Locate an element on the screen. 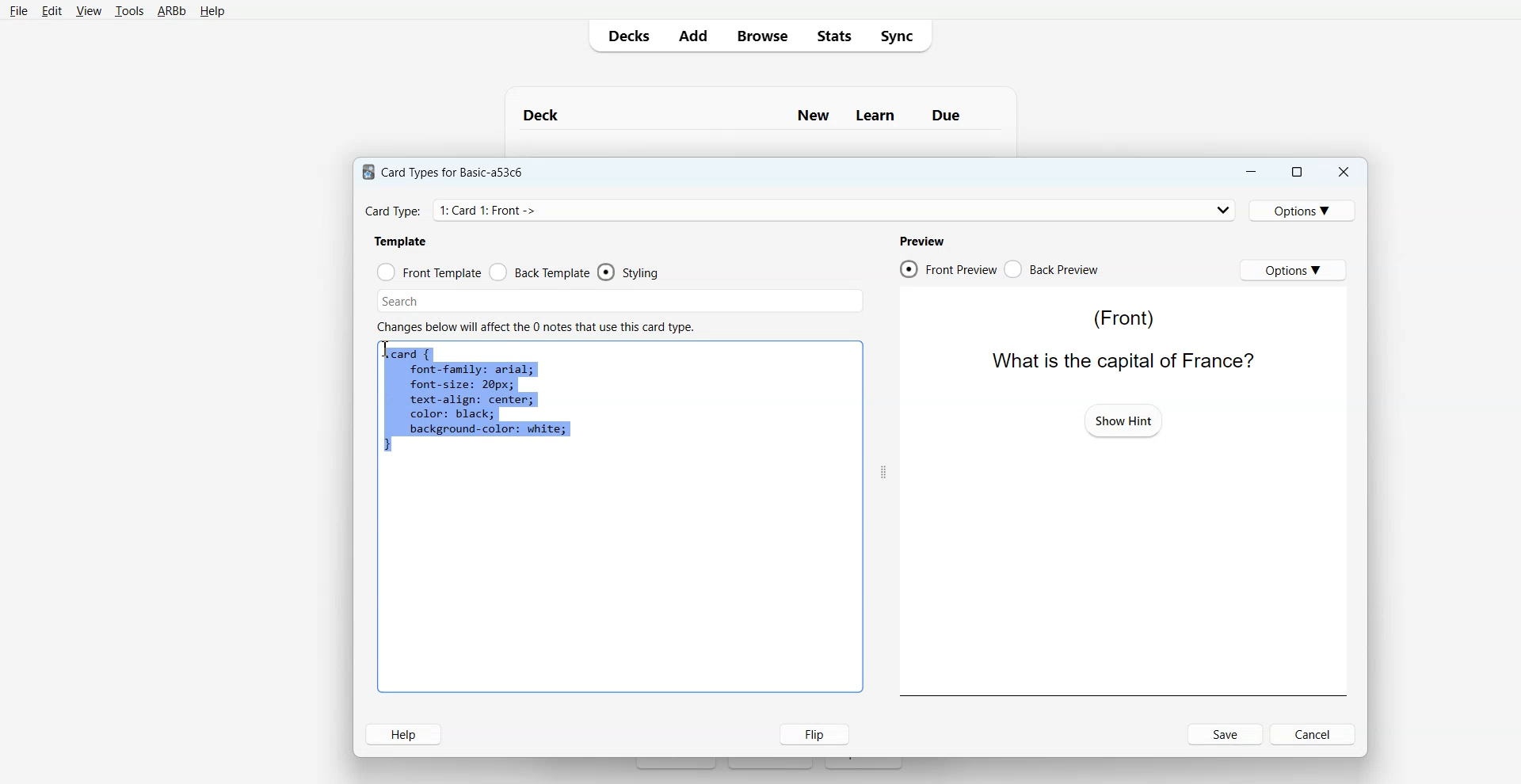  Deck New Learn Due is located at coordinates (750, 115).